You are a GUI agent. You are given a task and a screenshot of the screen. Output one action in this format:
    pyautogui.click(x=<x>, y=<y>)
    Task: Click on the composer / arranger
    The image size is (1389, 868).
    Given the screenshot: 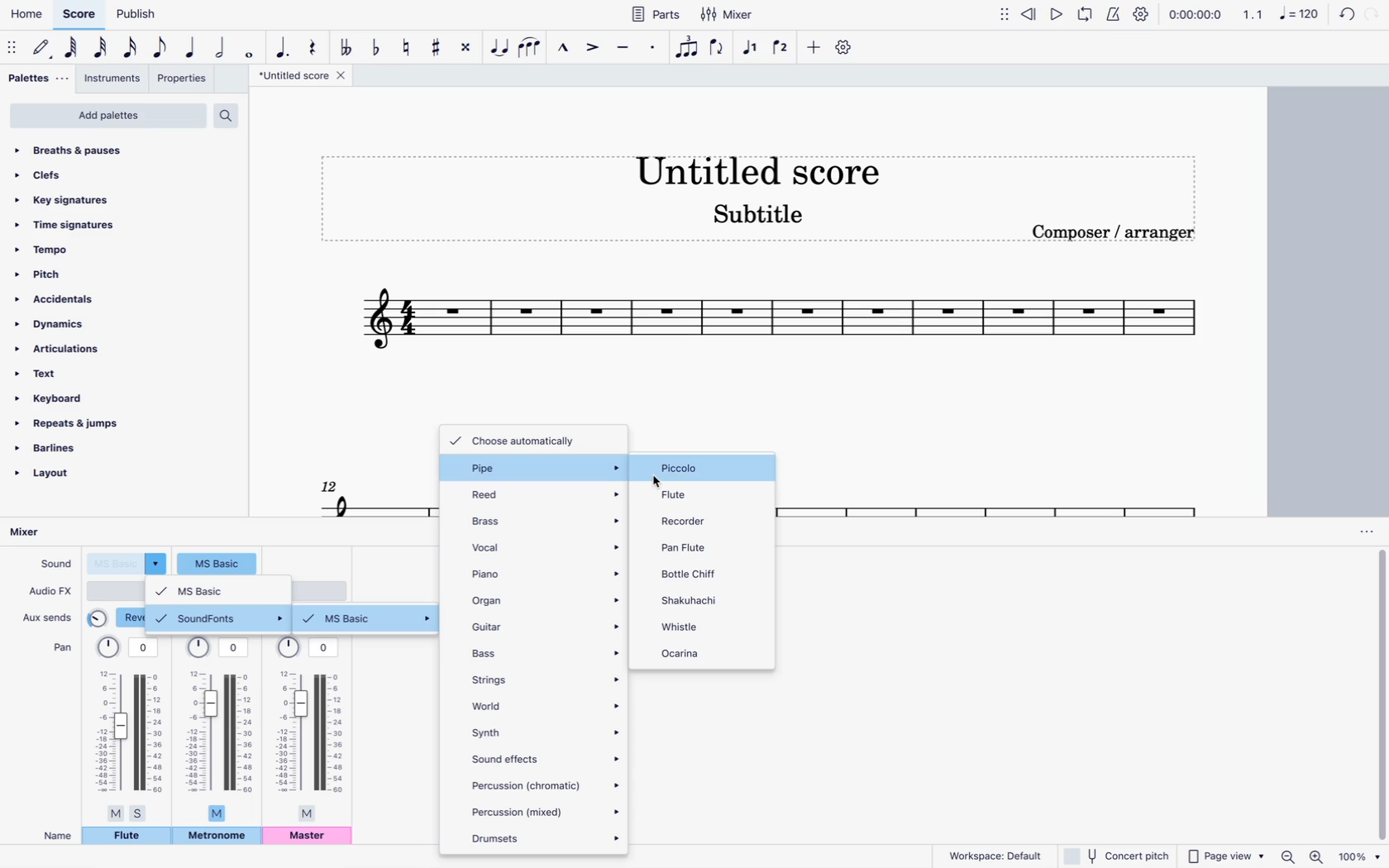 What is the action you would take?
    pyautogui.click(x=1115, y=231)
    